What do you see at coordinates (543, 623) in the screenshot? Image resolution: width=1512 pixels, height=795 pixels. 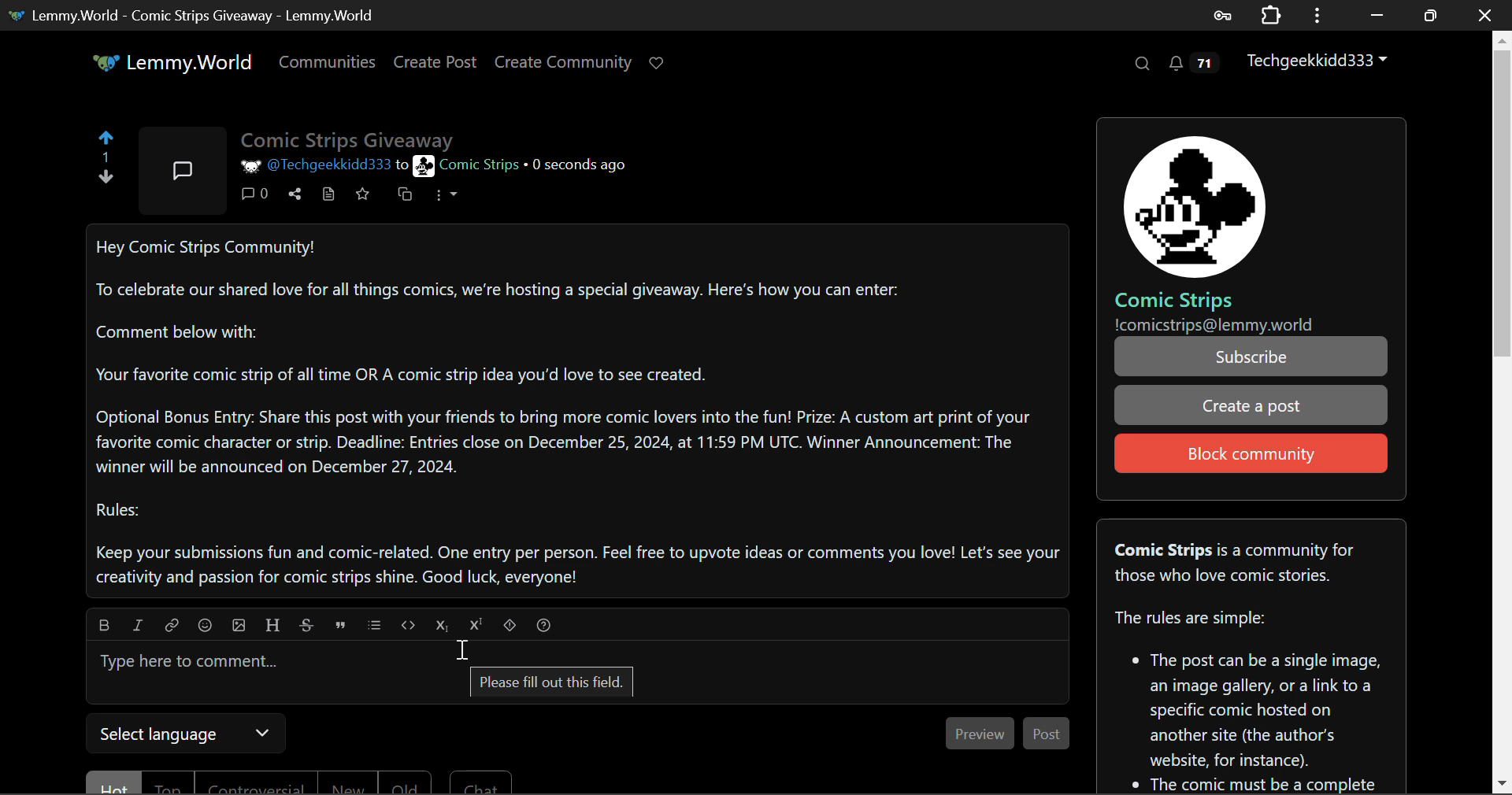 I see `formatting help` at bounding box center [543, 623].